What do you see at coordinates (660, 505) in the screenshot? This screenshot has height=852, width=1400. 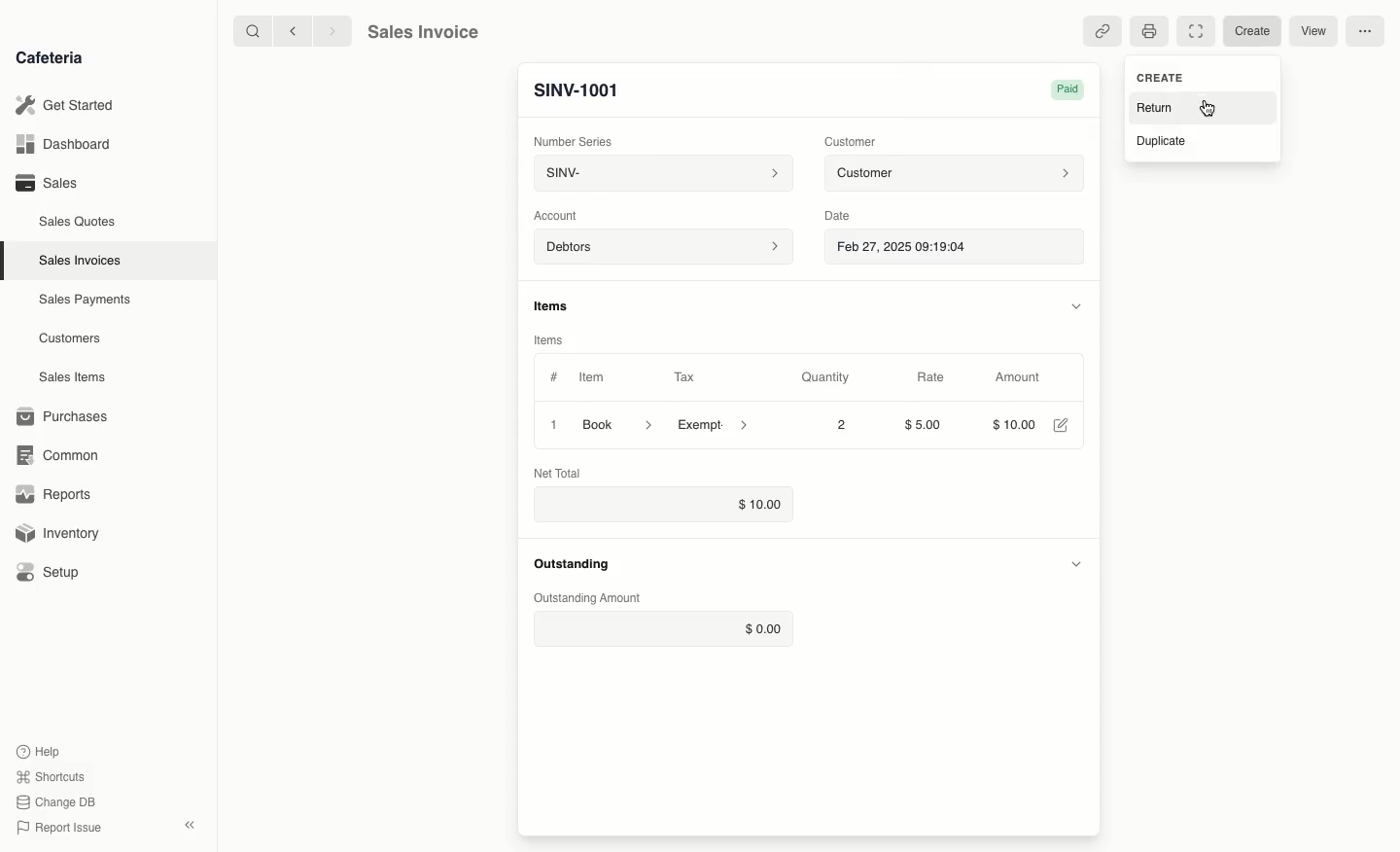 I see `$10.00` at bounding box center [660, 505].